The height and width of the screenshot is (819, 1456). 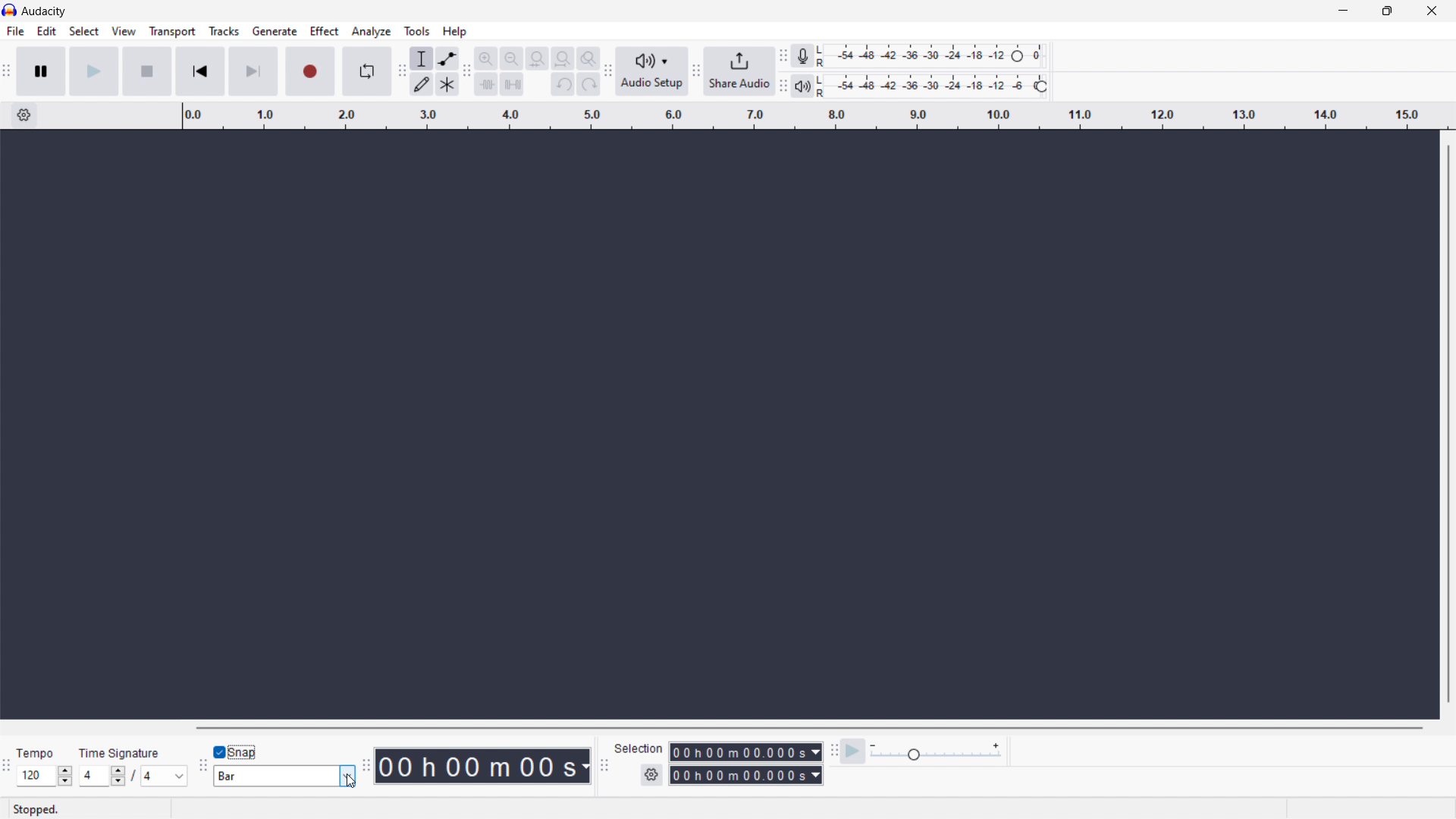 What do you see at coordinates (745, 775) in the screenshot?
I see `selection end time` at bounding box center [745, 775].